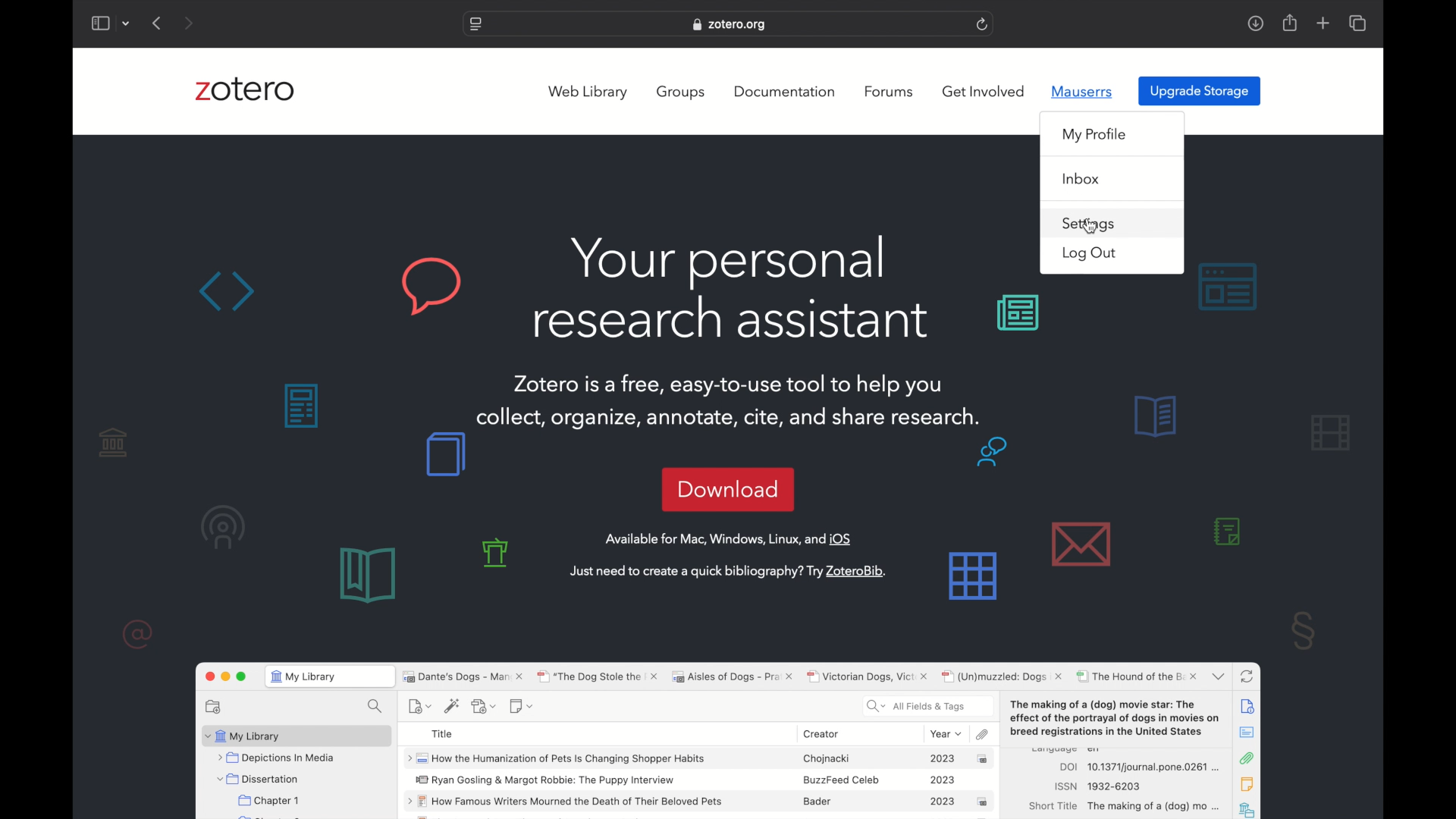  Describe the element at coordinates (731, 25) in the screenshot. I see `website address` at that location.